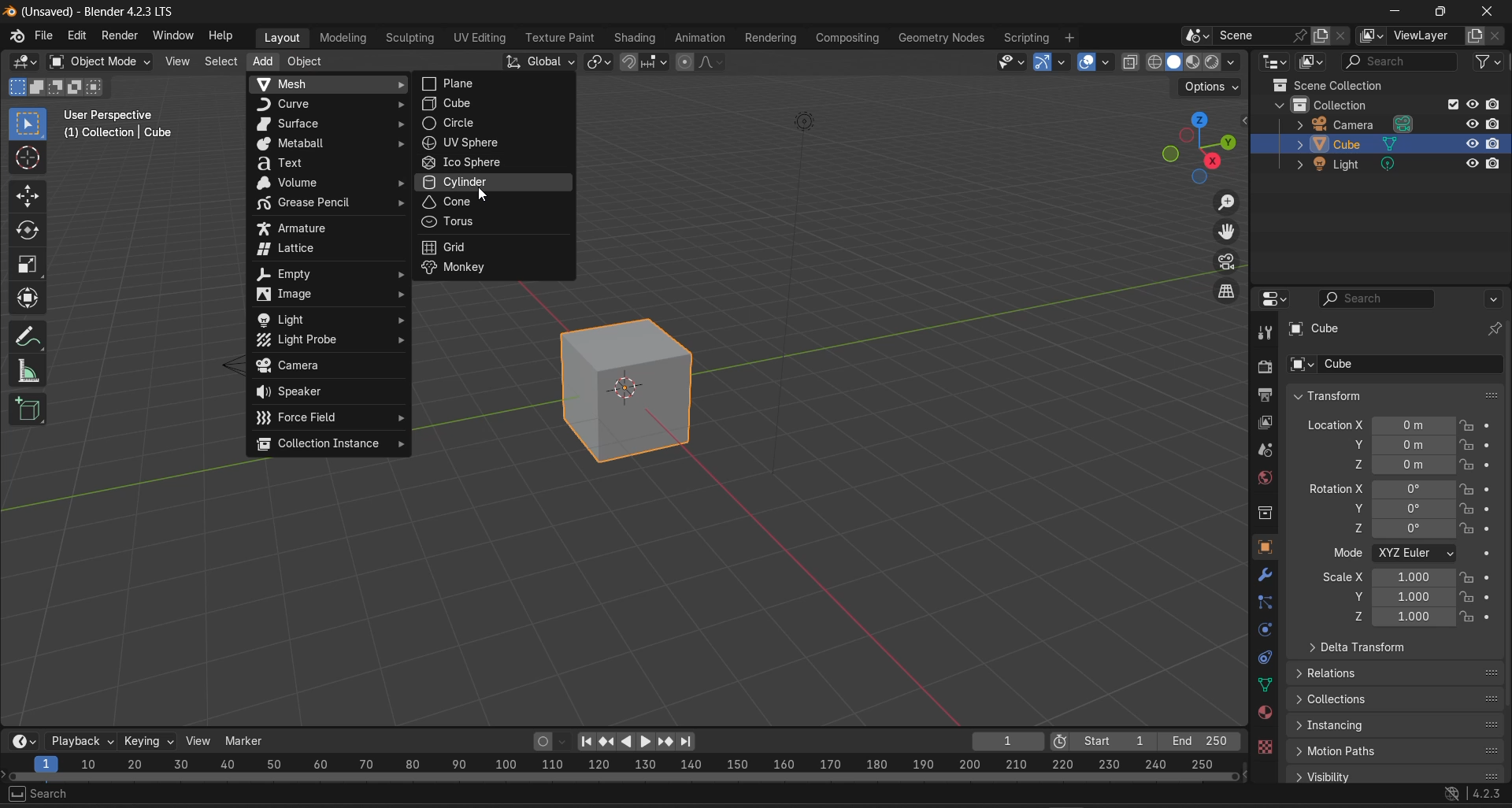 This screenshot has width=1512, height=808. What do you see at coordinates (1265, 712) in the screenshot?
I see `material` at bounding box center [1265, 712].